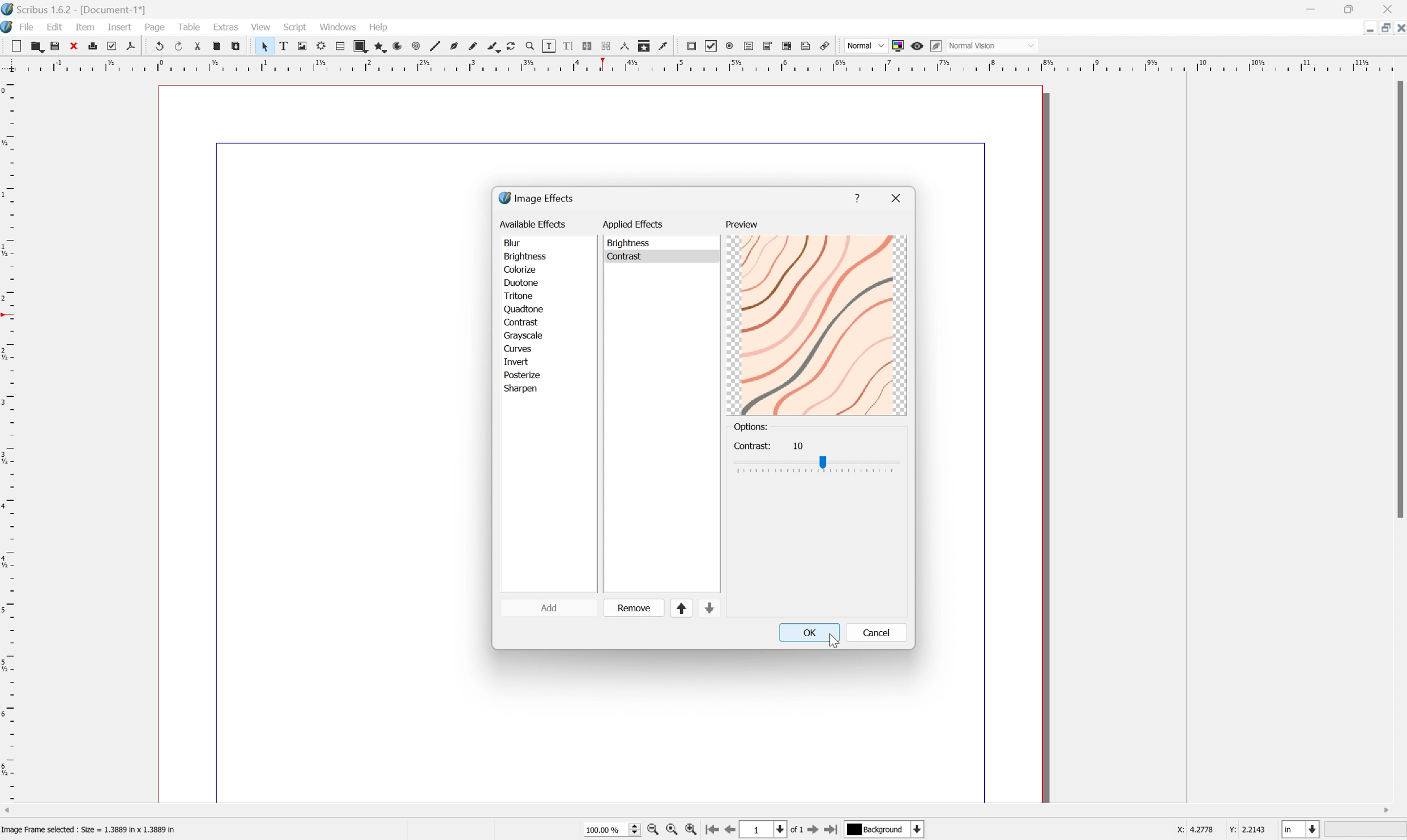  Describe the element at coordinates (515, 46) in the screenshot. I see `Rotate item` at that location.